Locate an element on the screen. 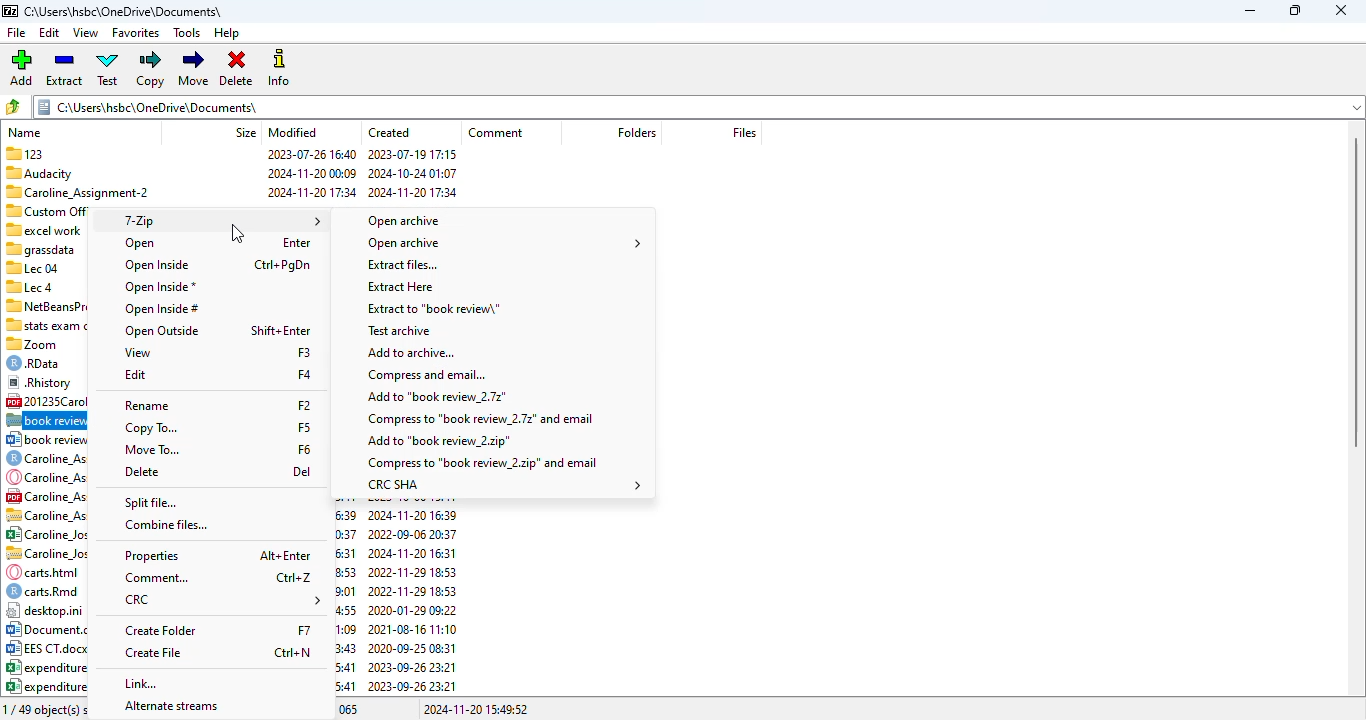 The height and width of the screenshot is (720, 1366). CRC is located at coordinates (221, 601).